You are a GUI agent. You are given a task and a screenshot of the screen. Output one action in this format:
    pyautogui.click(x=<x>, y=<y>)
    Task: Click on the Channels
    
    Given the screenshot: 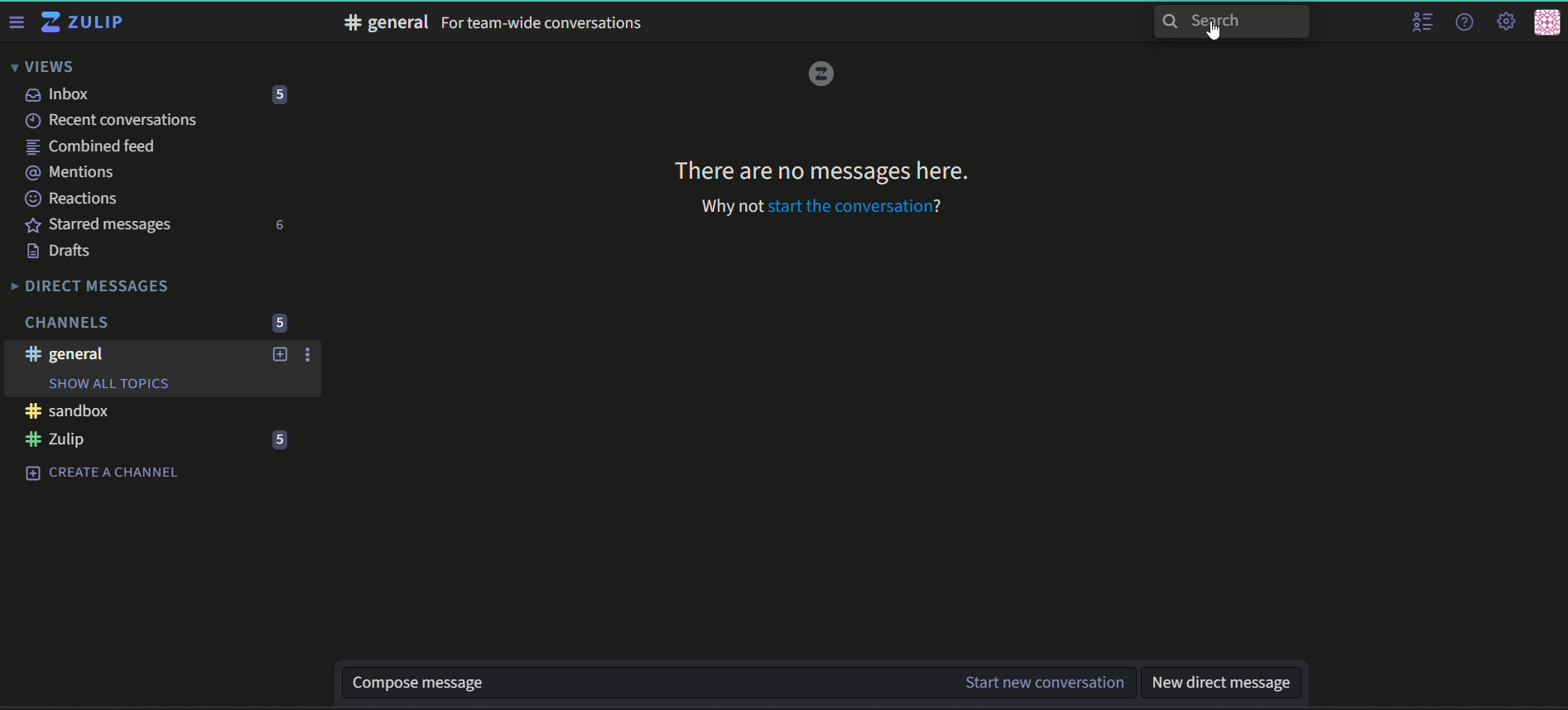 What is the action you would take?
    pyautogui.click(x=70, y=322)
    